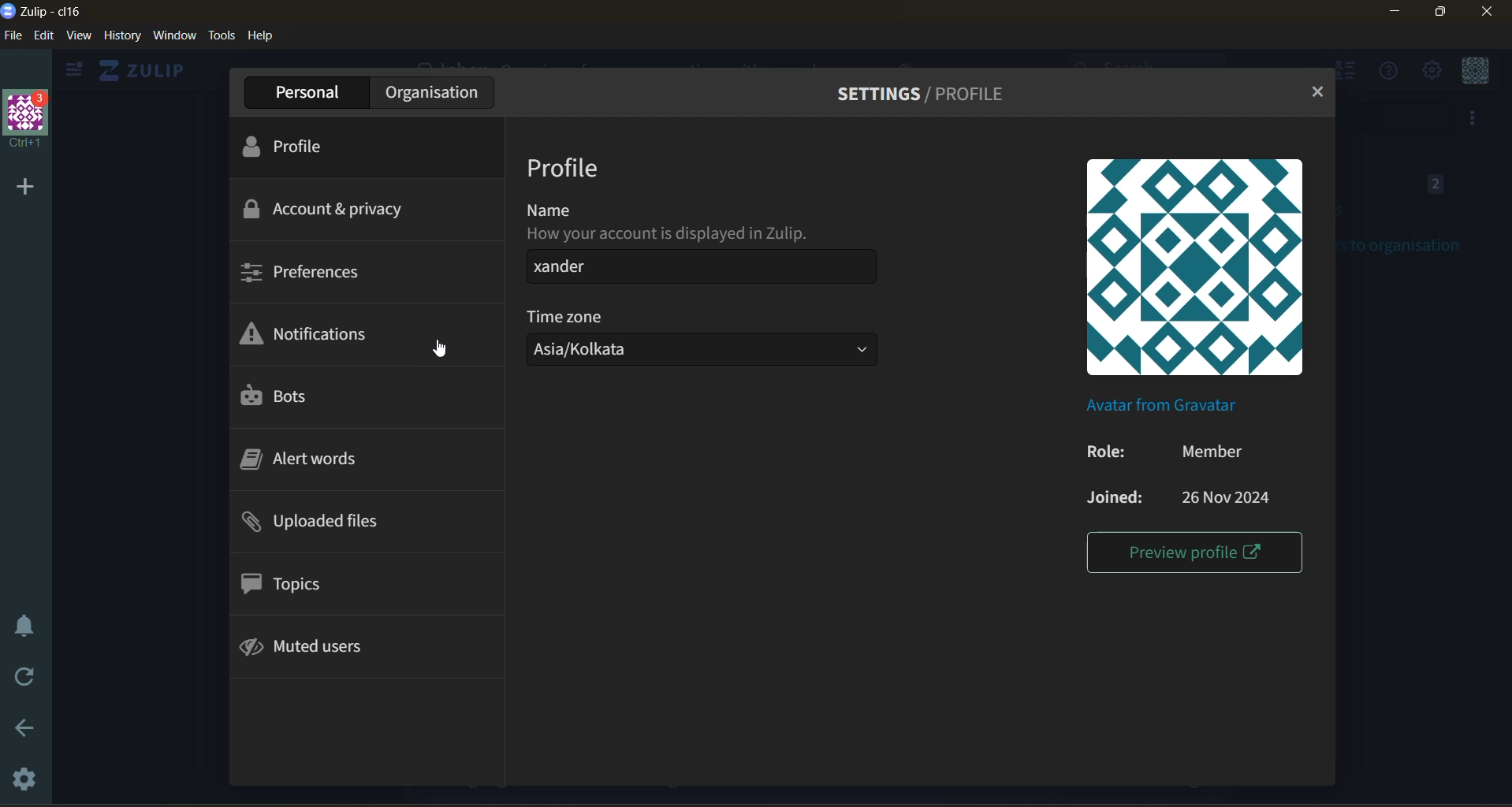  What do you see at coordinates (1198, 268) in the screenshot?
I see `profile picture` at bounding box center [1198, 268].